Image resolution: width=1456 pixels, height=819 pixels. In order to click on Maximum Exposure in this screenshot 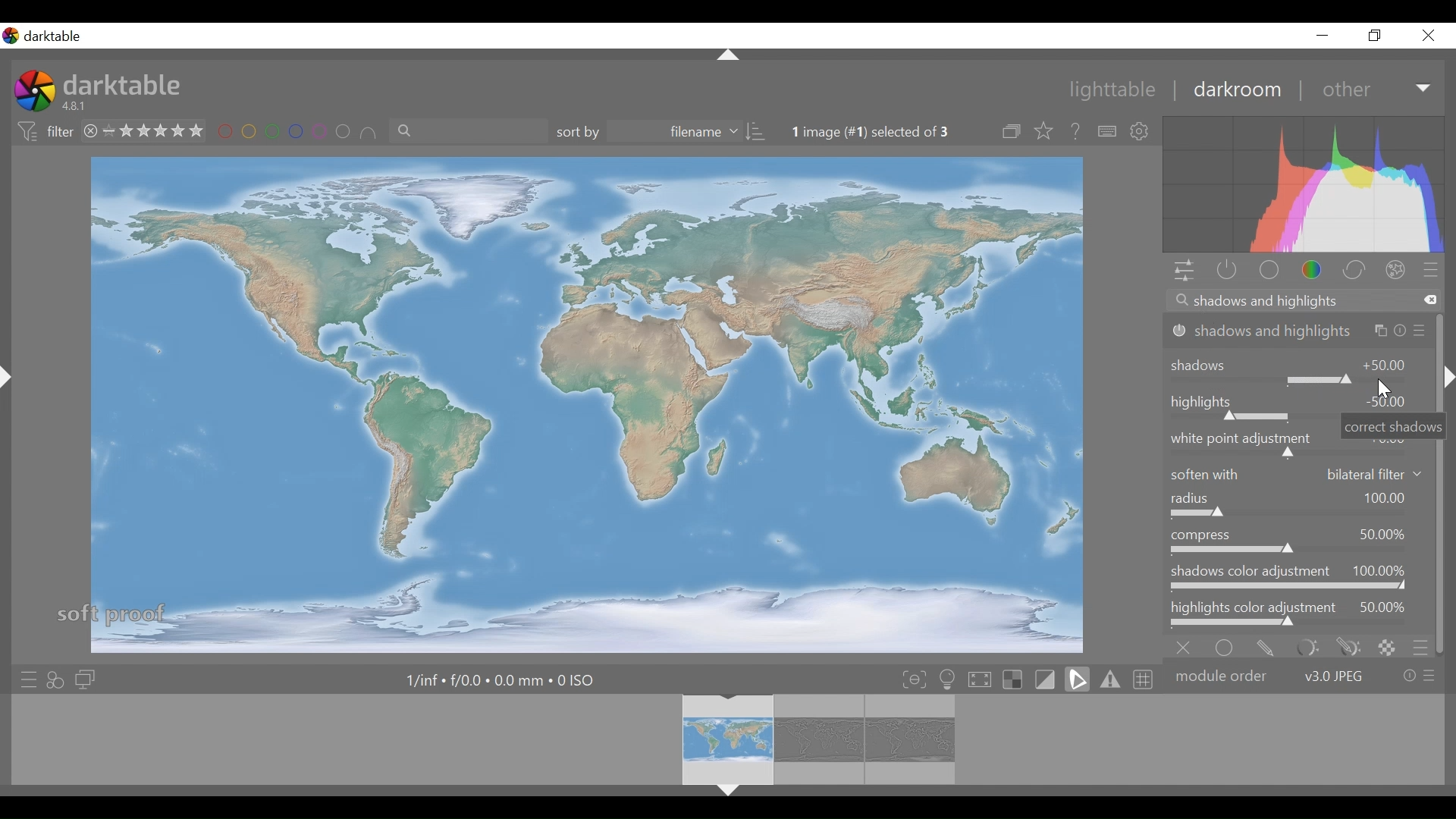, I will do `click(502, 679)`.